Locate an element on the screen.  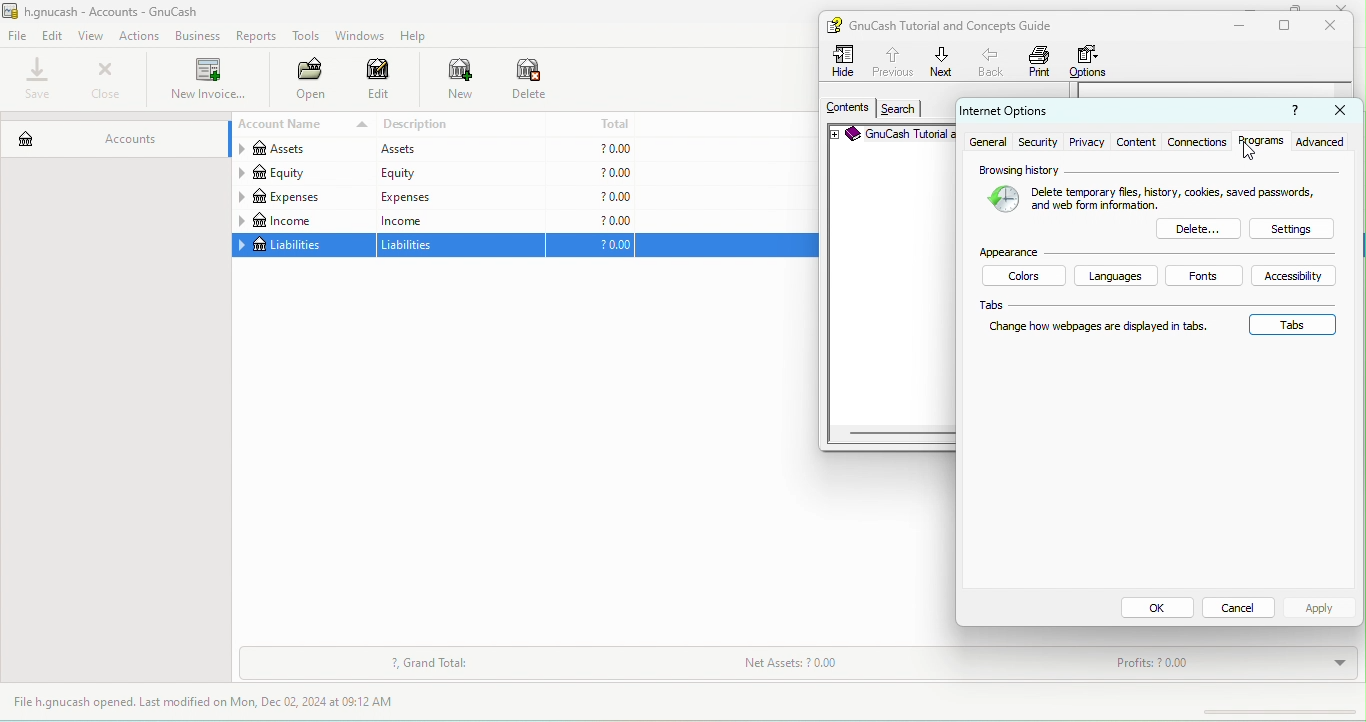
hide is located at coordinates (846, 61).